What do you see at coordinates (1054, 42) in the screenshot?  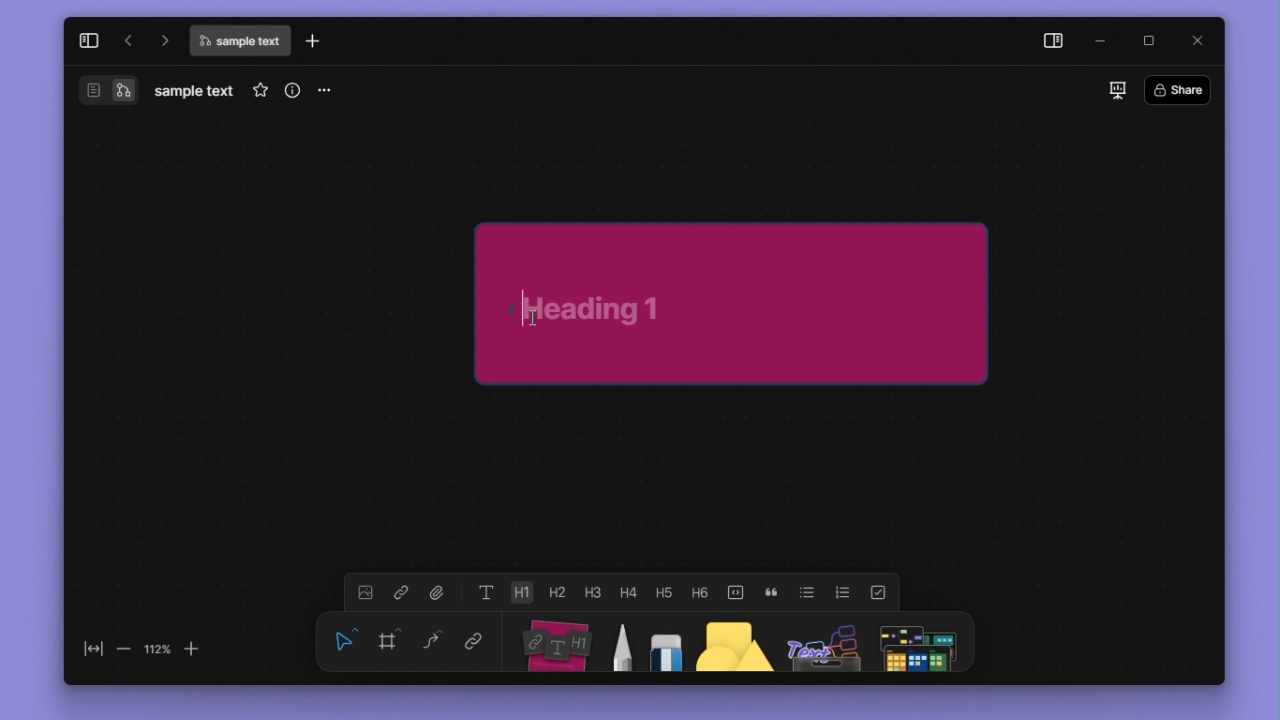 I see `side panel` at bounding box center [1054, 42].